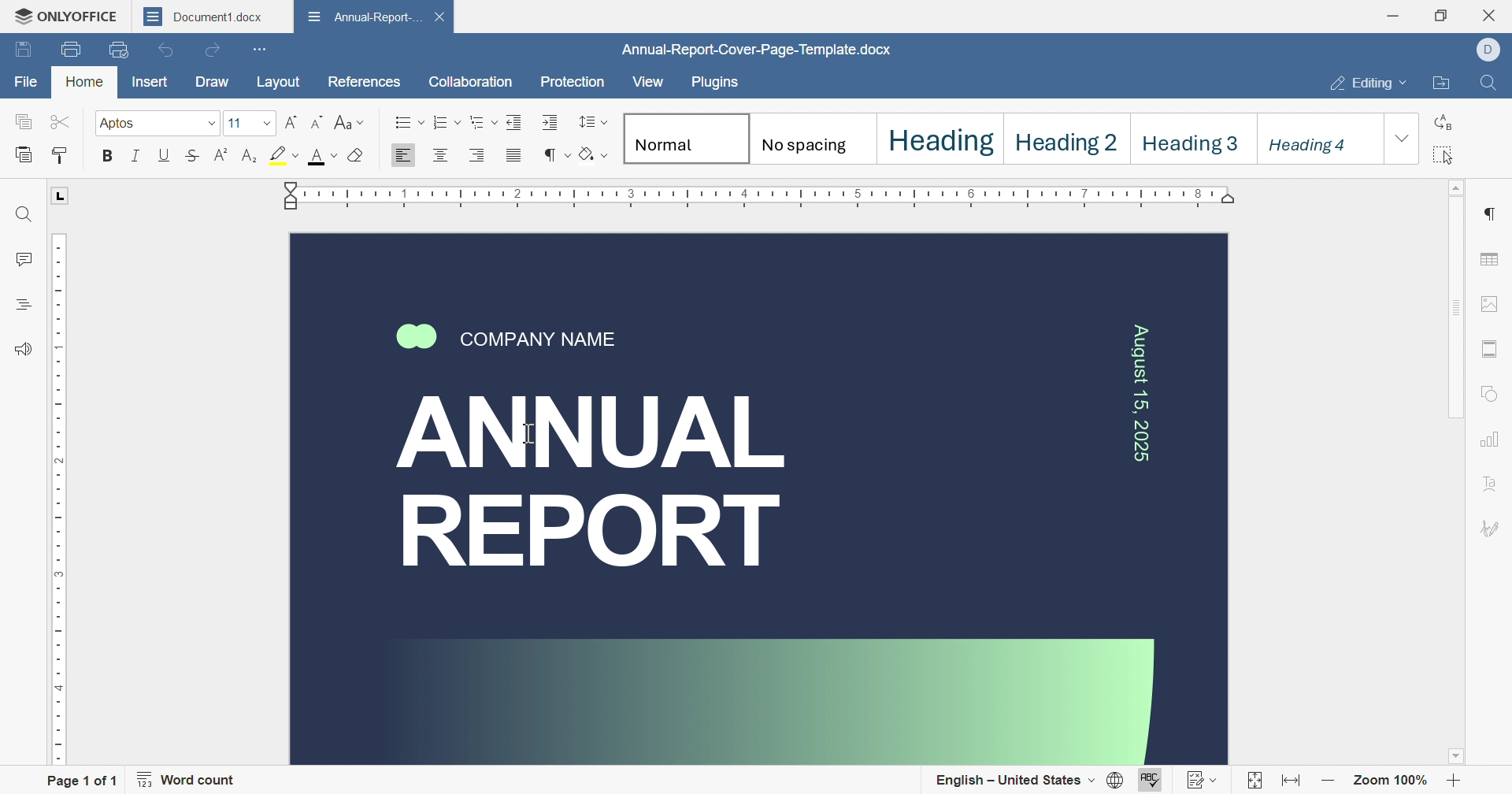 This screenshot has height=794, width=1512. Describe the element at coordinates (193, 157) in the screenshot. I see `strikethrough` at that location.